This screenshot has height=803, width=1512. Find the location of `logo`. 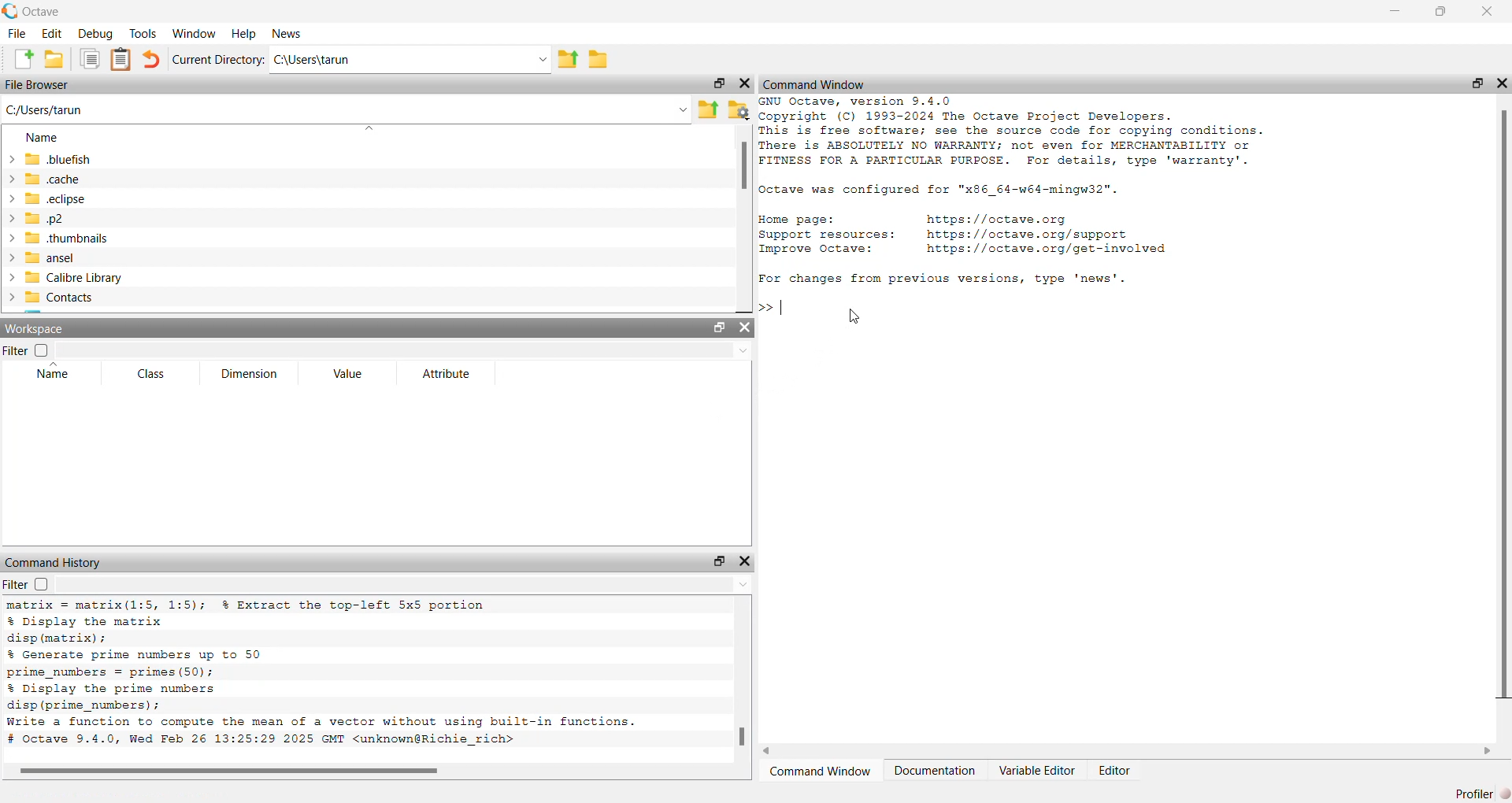

logo is located at coordinates (11, 11).